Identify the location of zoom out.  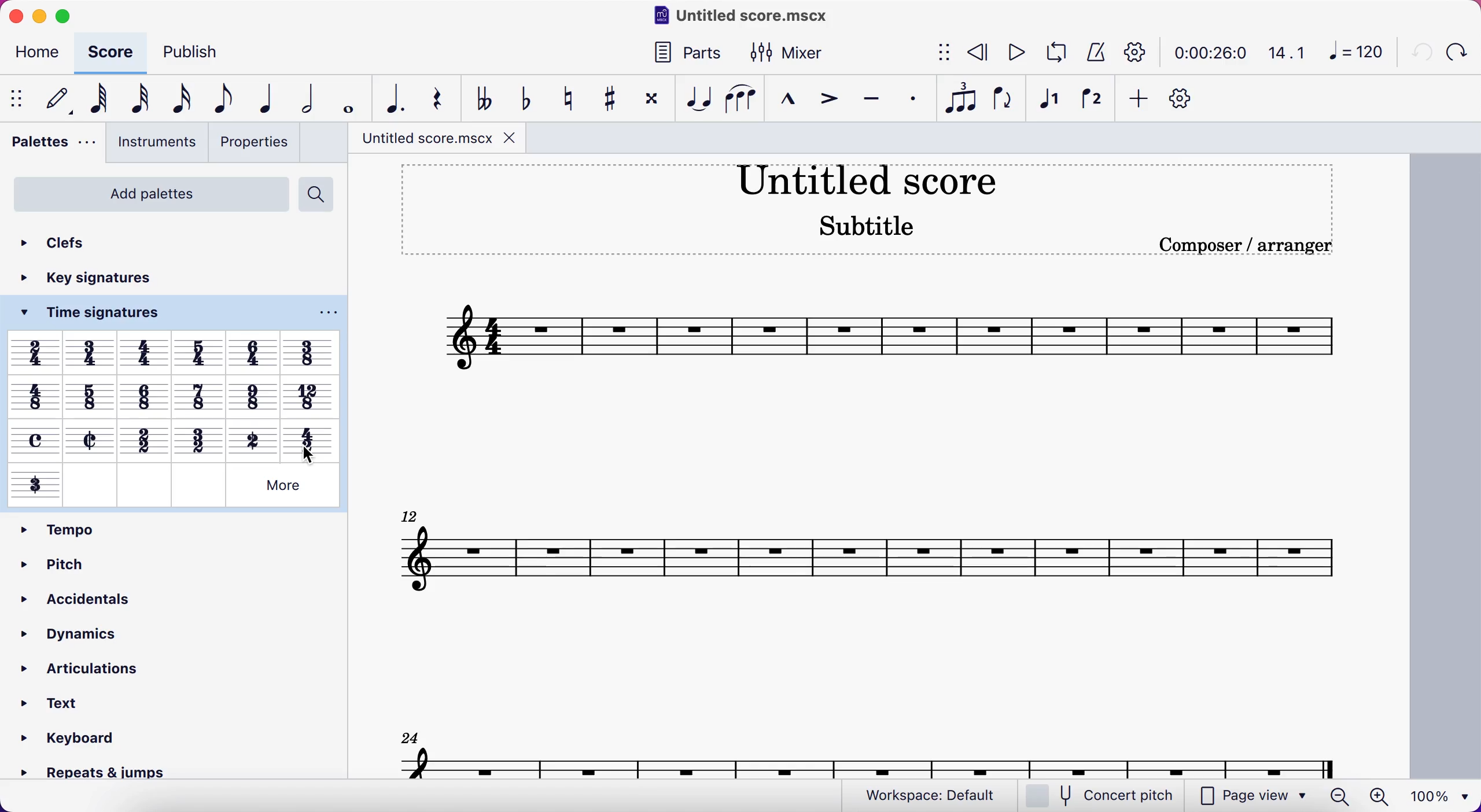
(1342, 796).